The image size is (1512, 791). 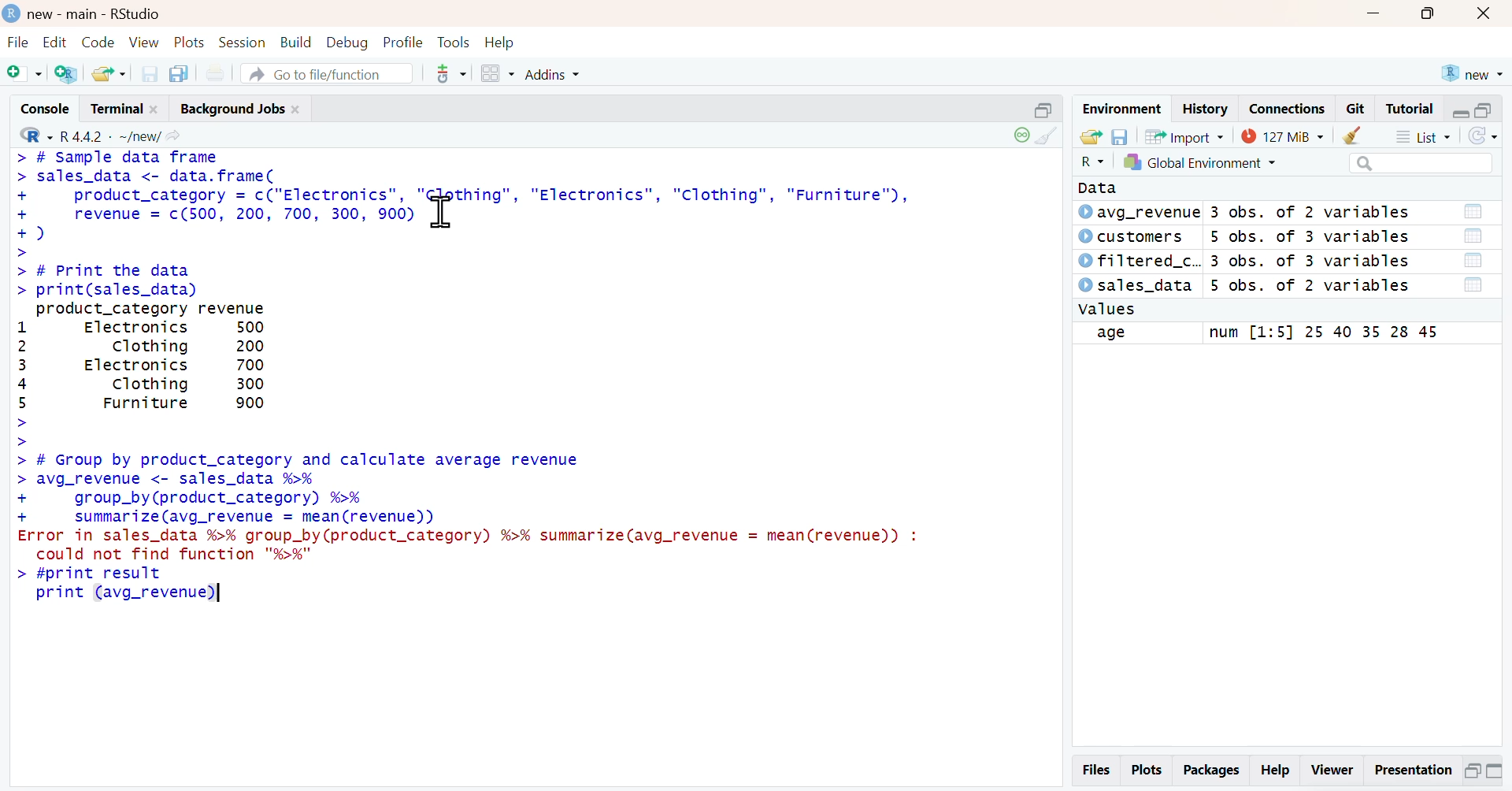 What do you see at coordinates (1472, 774) in the screenshot?
I see `Minimize pane` at bounding box center [1472, 774].